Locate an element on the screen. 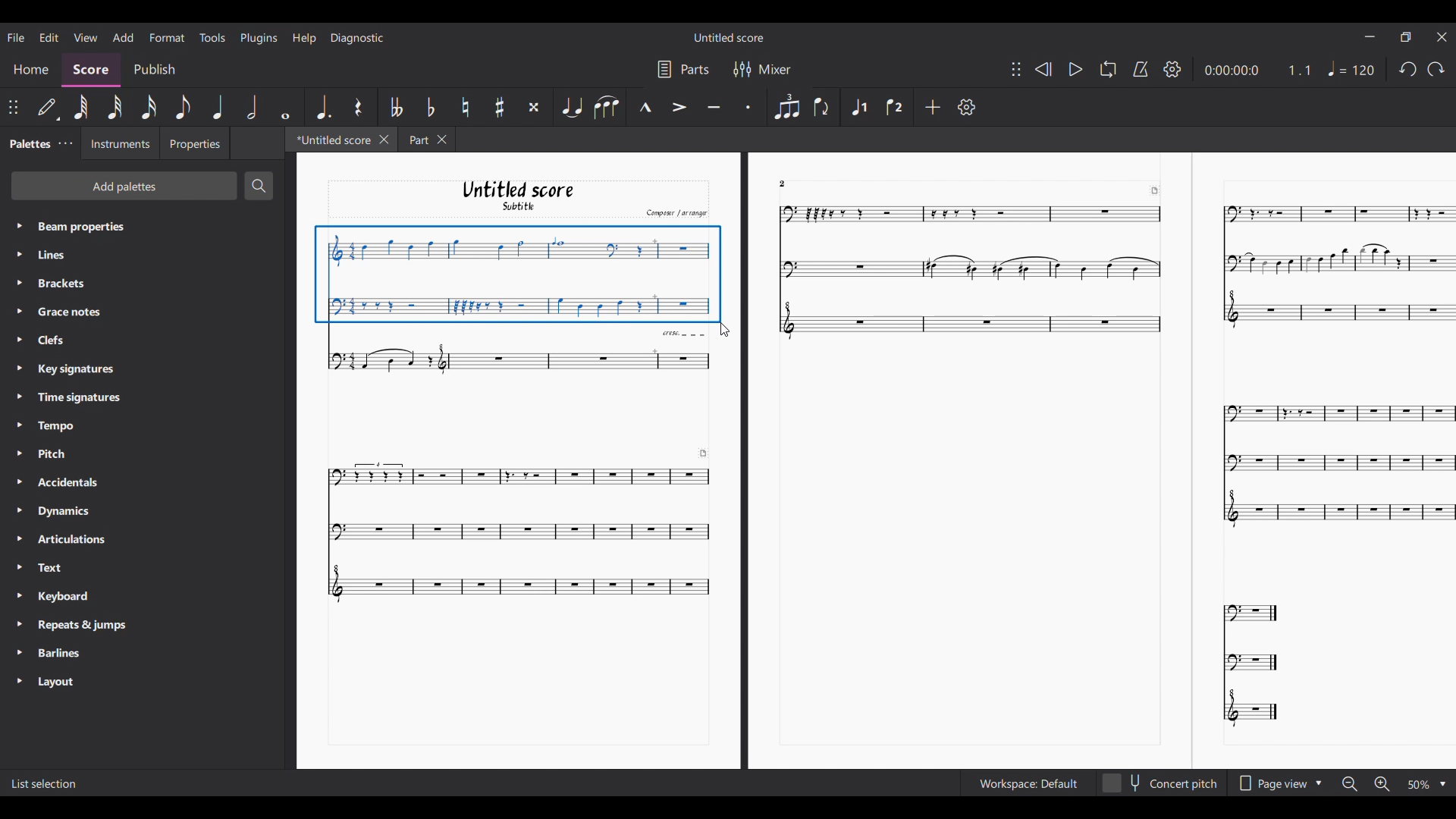 Image resolution: width=1456 pixels, height=819 pixels. Staccato is located at coordinates (747, 106).